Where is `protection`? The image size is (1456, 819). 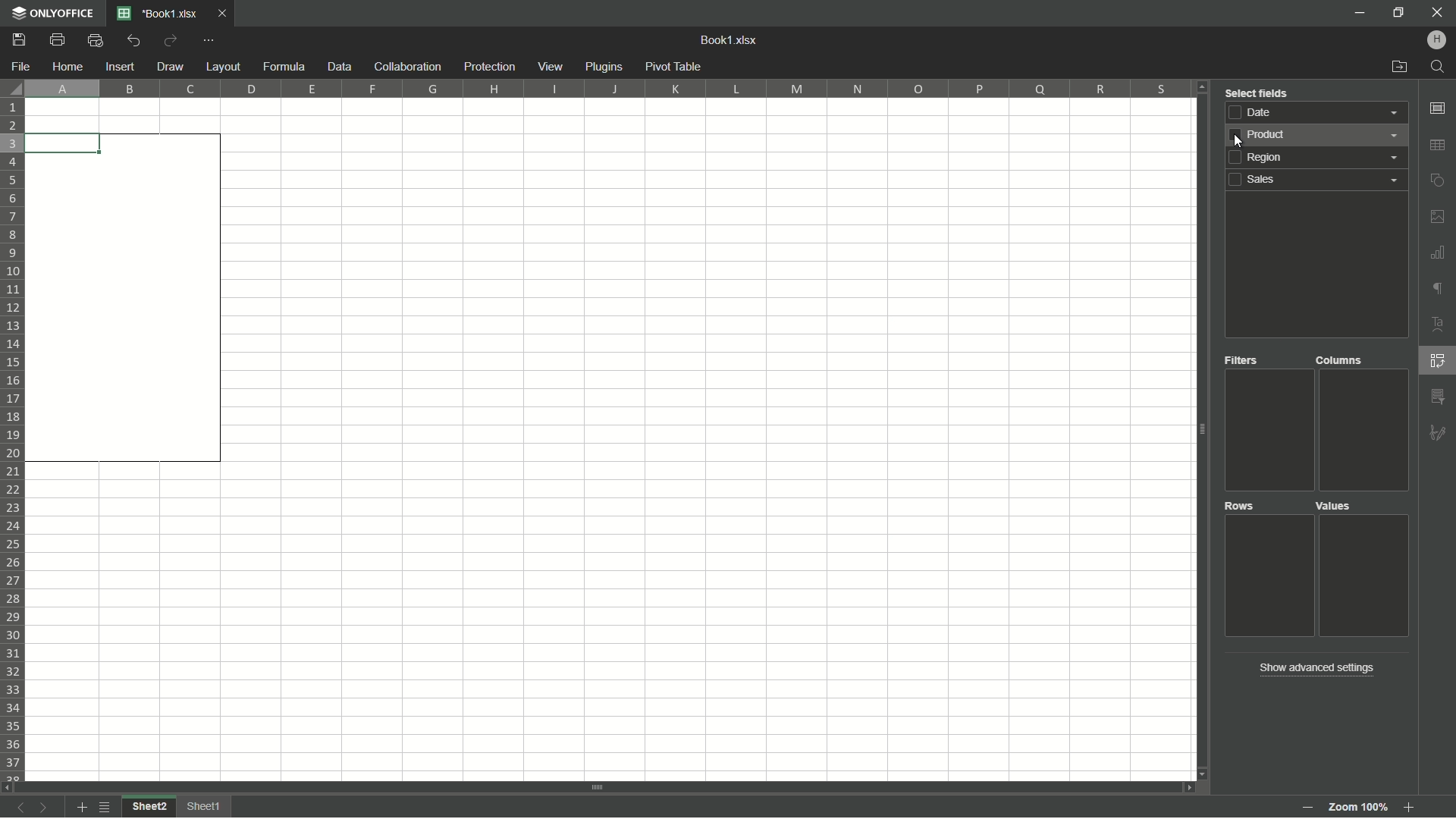 protection is located at coordinates (488, 67).